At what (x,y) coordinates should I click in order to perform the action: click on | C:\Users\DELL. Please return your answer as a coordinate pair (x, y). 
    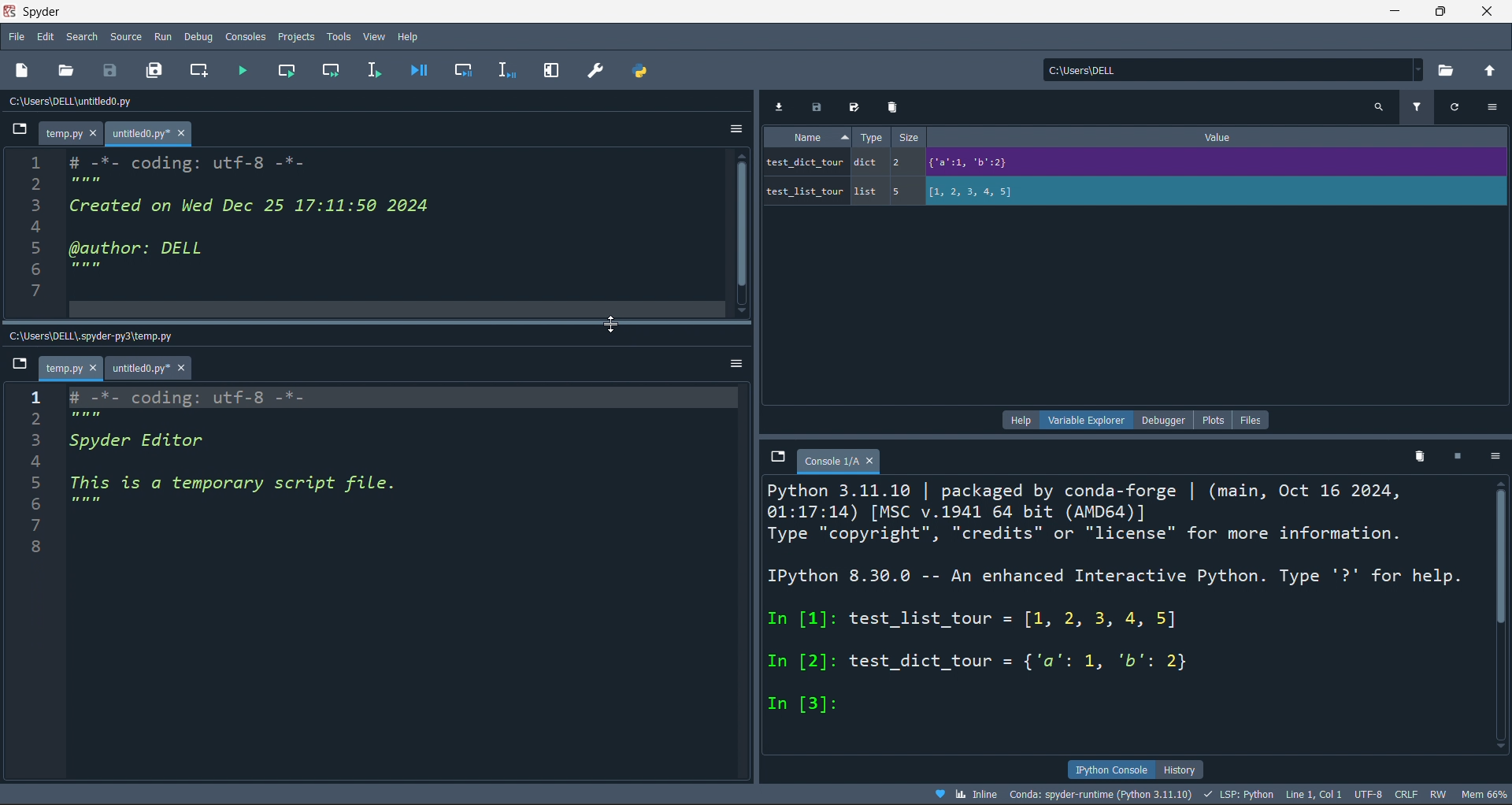
    Looking at the image, I should click on (1085, 69).